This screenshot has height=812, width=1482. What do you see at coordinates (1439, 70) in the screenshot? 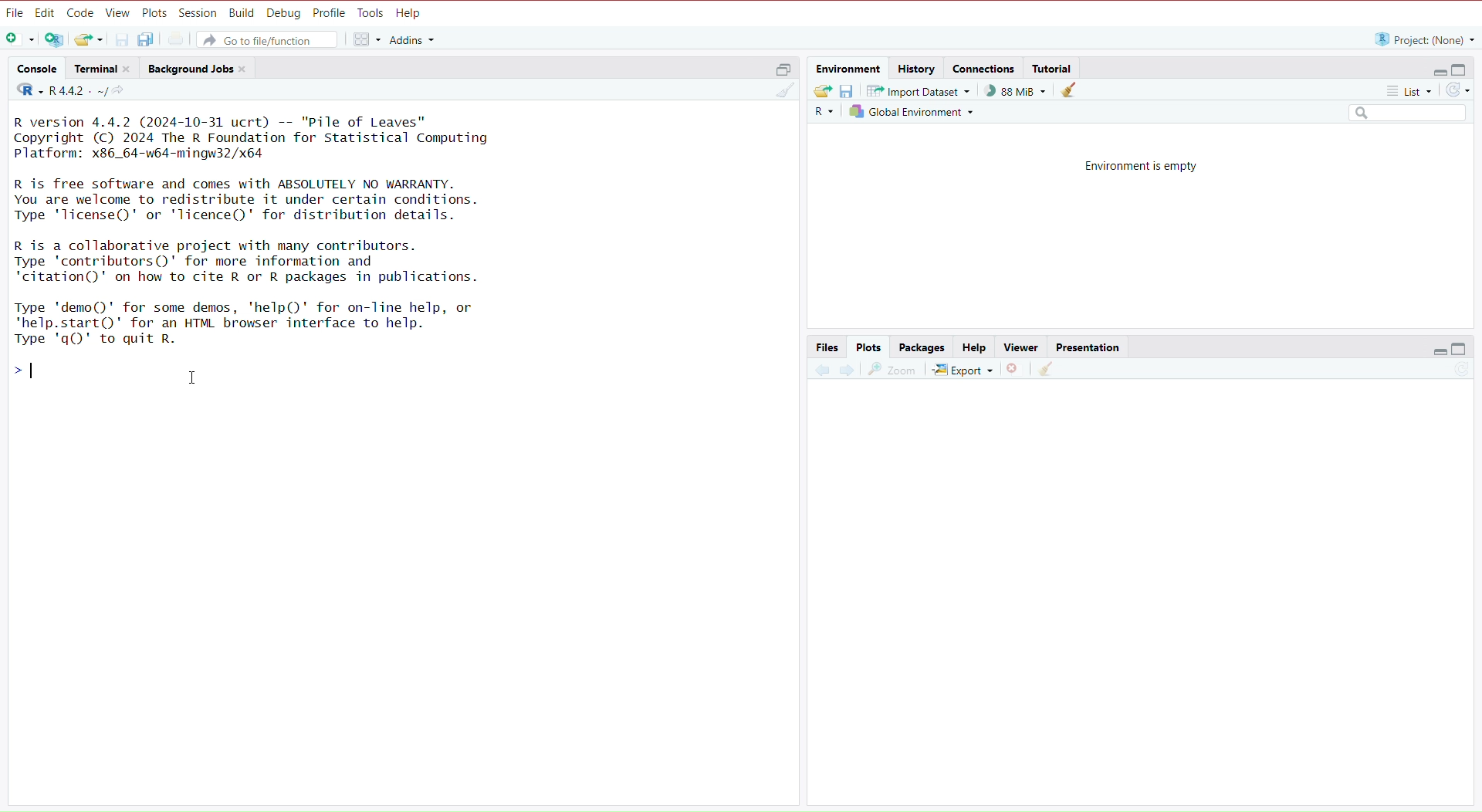
I see `Hide` at bounding box center [1439, 70].